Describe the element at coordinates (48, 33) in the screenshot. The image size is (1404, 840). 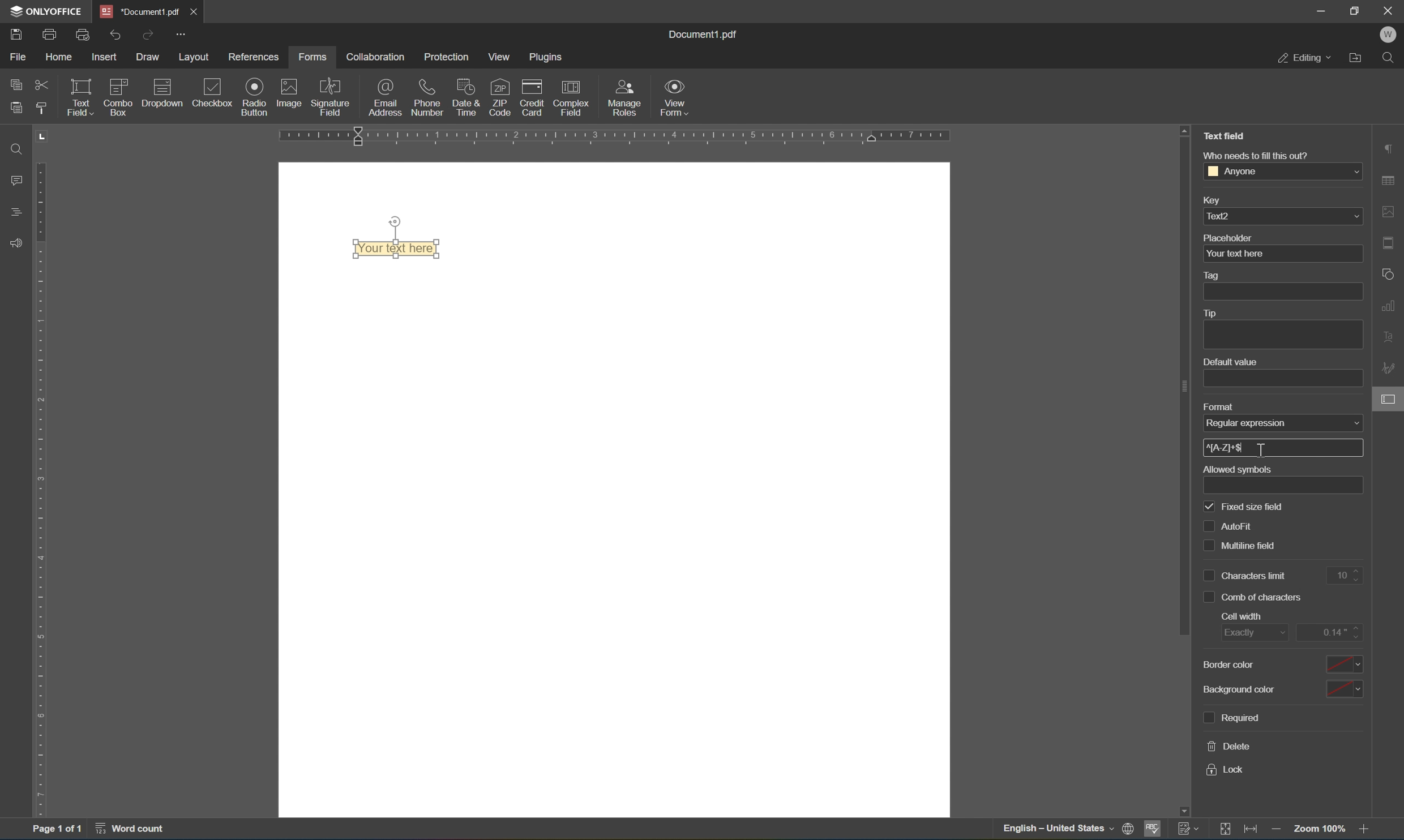
I see `print` at that location.